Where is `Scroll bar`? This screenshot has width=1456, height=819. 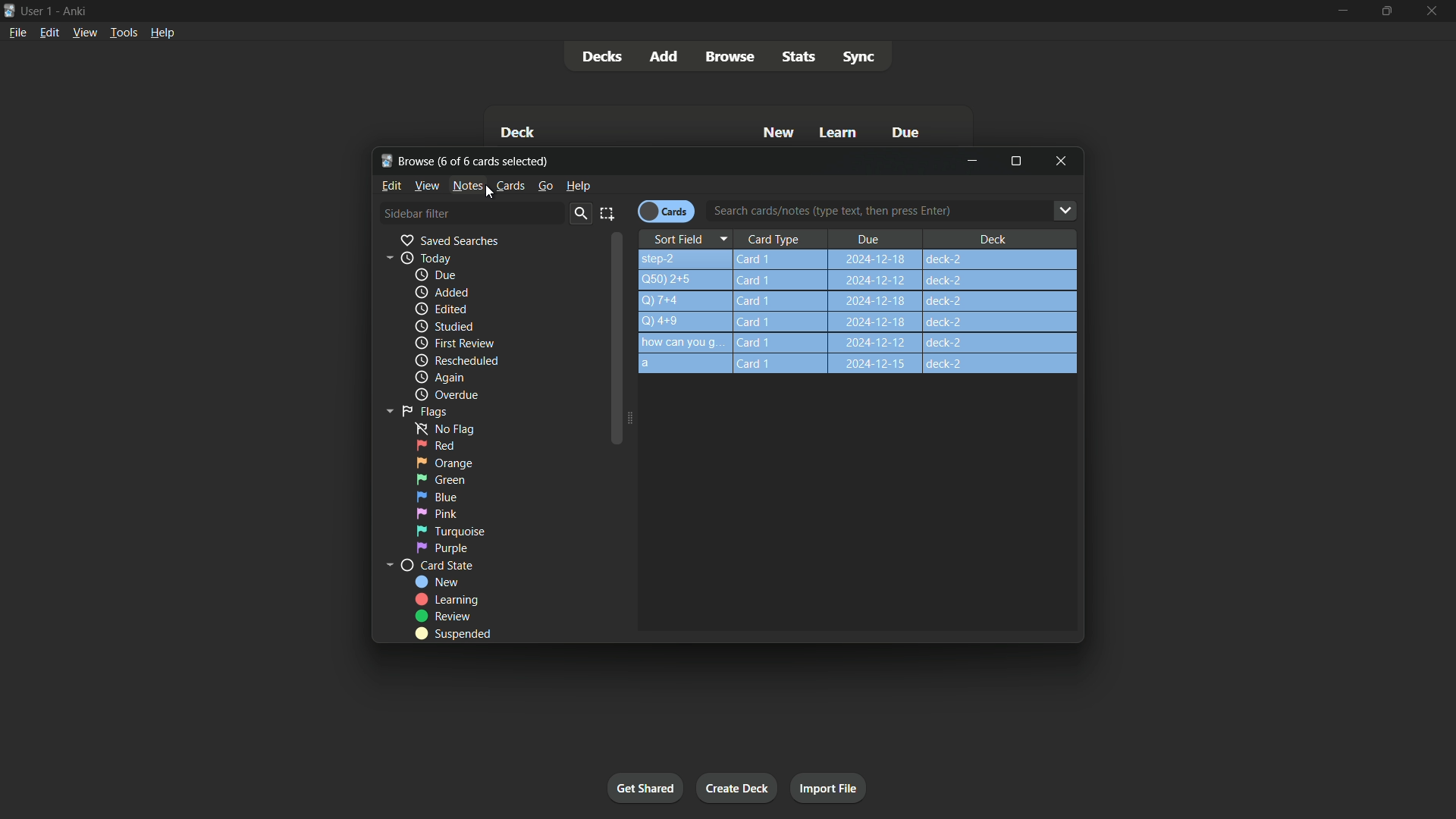
Scroll bar is located at coordinates (618, 339).